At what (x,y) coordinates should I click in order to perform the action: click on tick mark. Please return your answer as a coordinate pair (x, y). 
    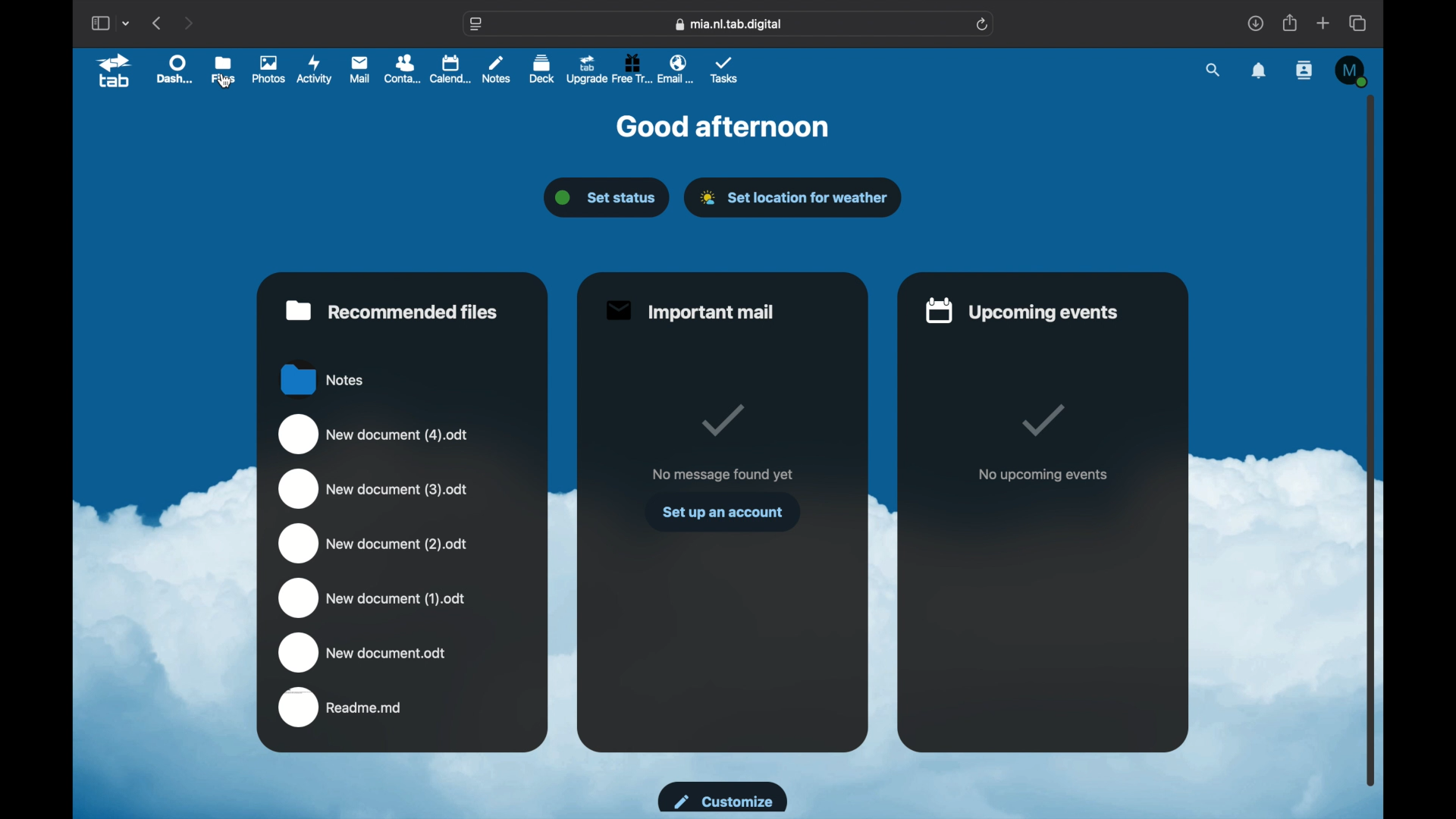
    Looking at the image, I should click on (1041, 419).